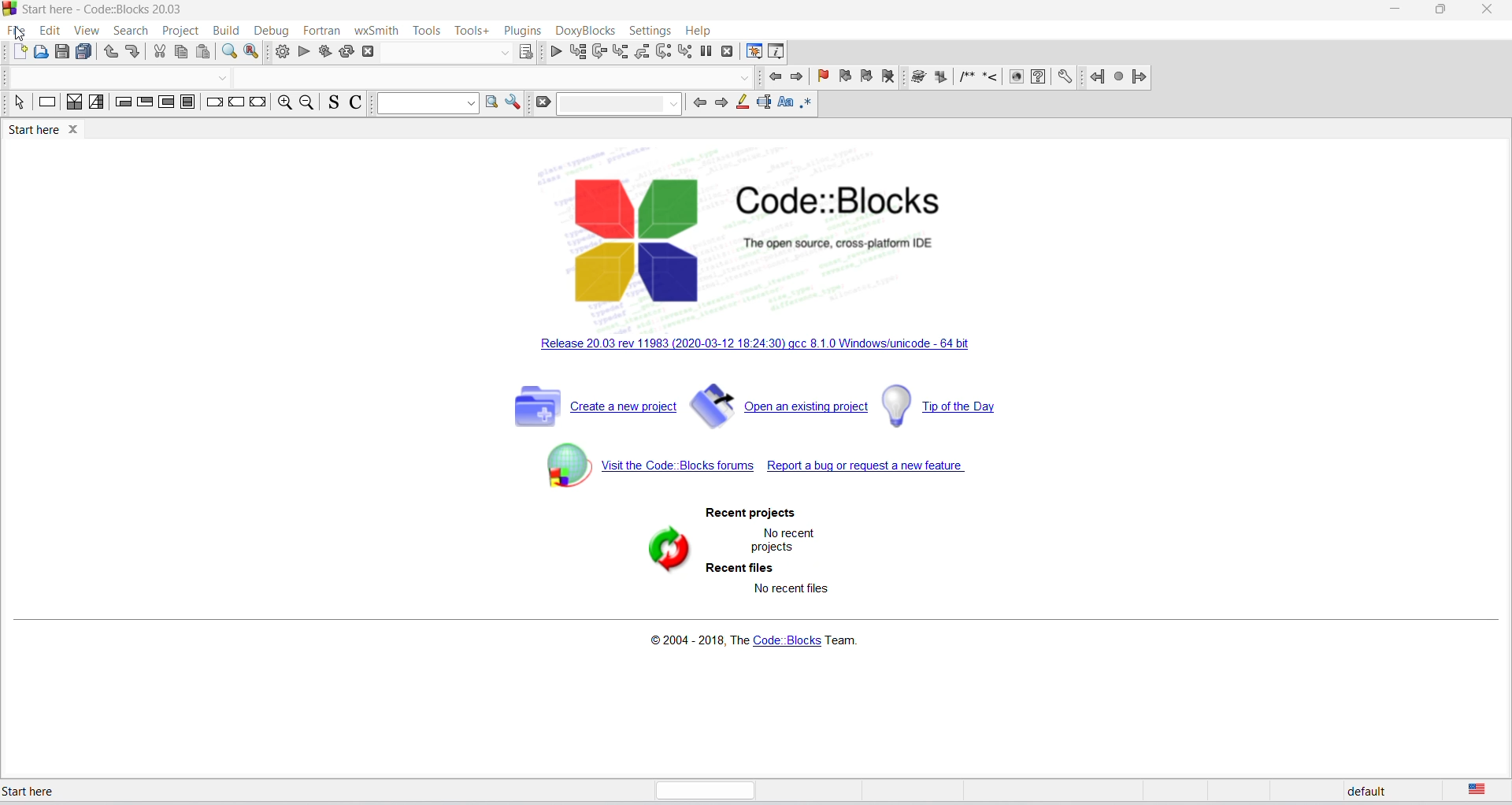  What do you see at coordinates (181, 31) in the screenshot?
I see `projects` at bounding box center [181, 31].